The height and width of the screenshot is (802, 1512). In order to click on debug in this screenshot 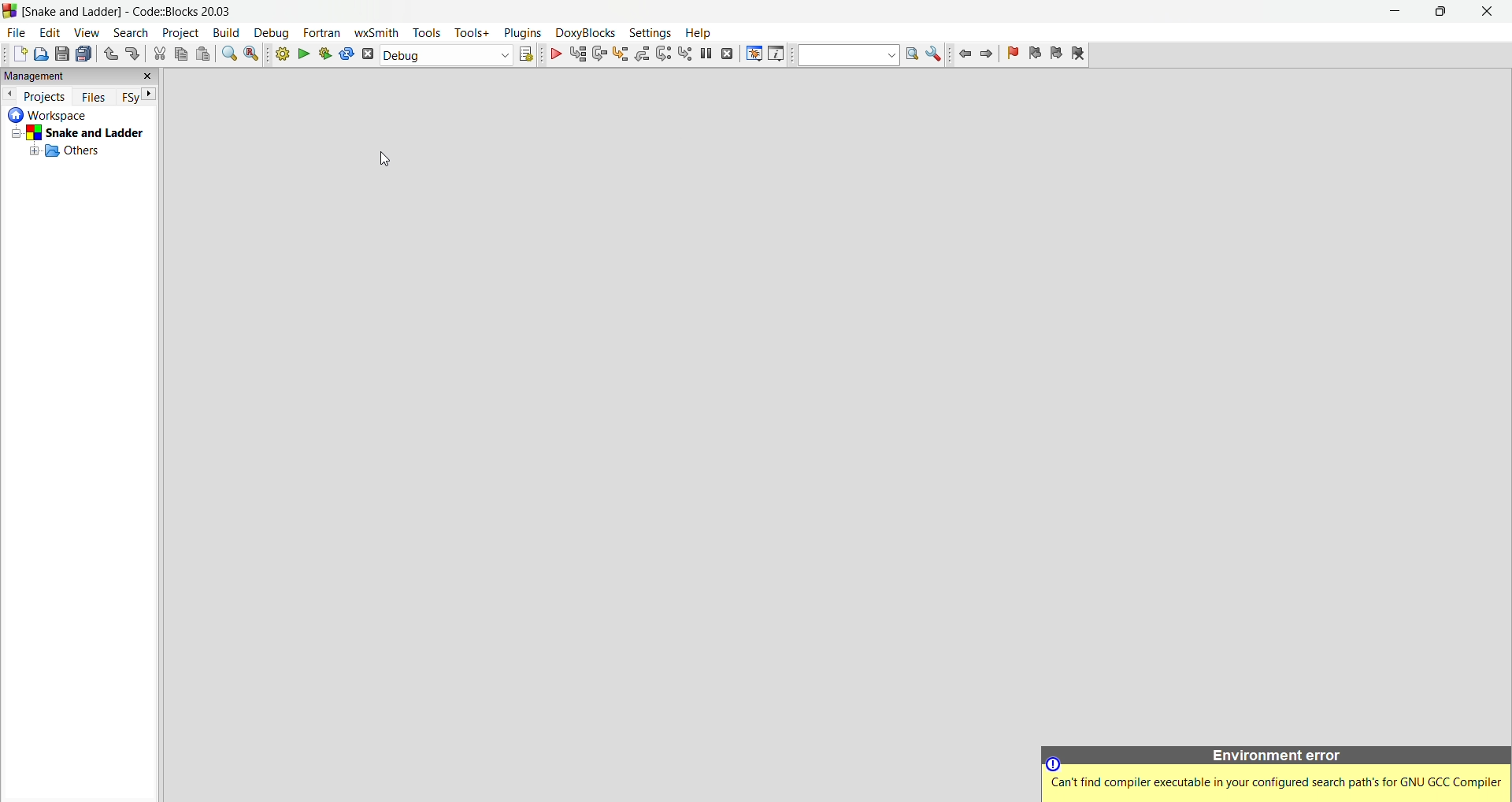, I will do `click(272, 33)`.